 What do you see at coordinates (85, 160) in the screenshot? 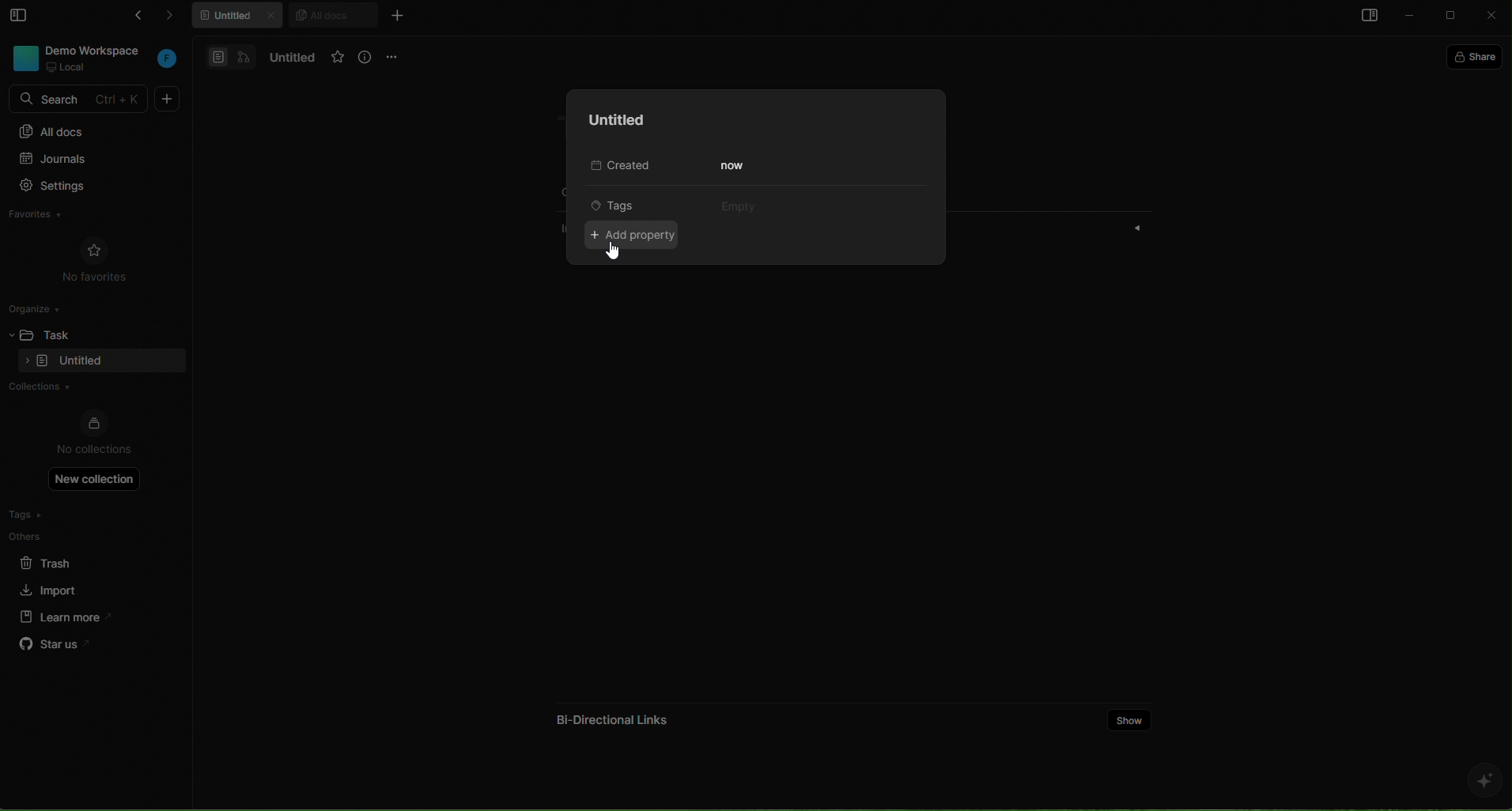
I see `journals` at bounding box center [85, 160].